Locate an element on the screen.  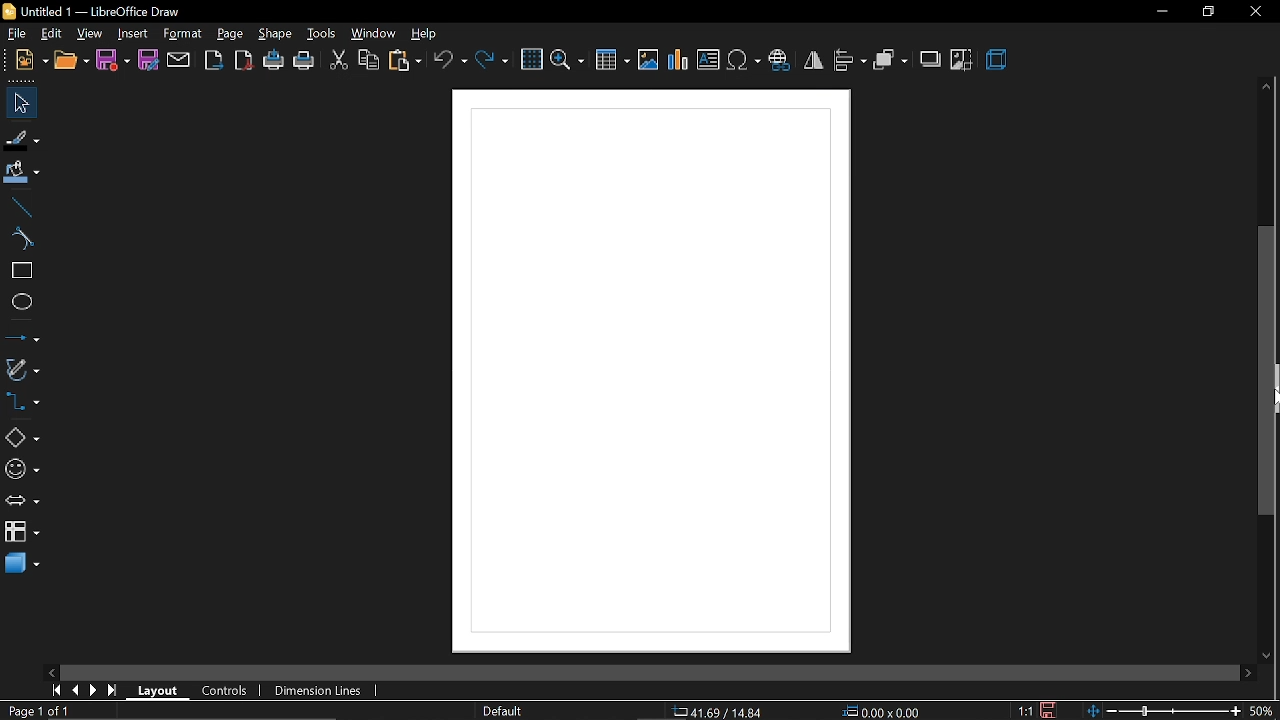
attach is located at coordinates (179, 62).